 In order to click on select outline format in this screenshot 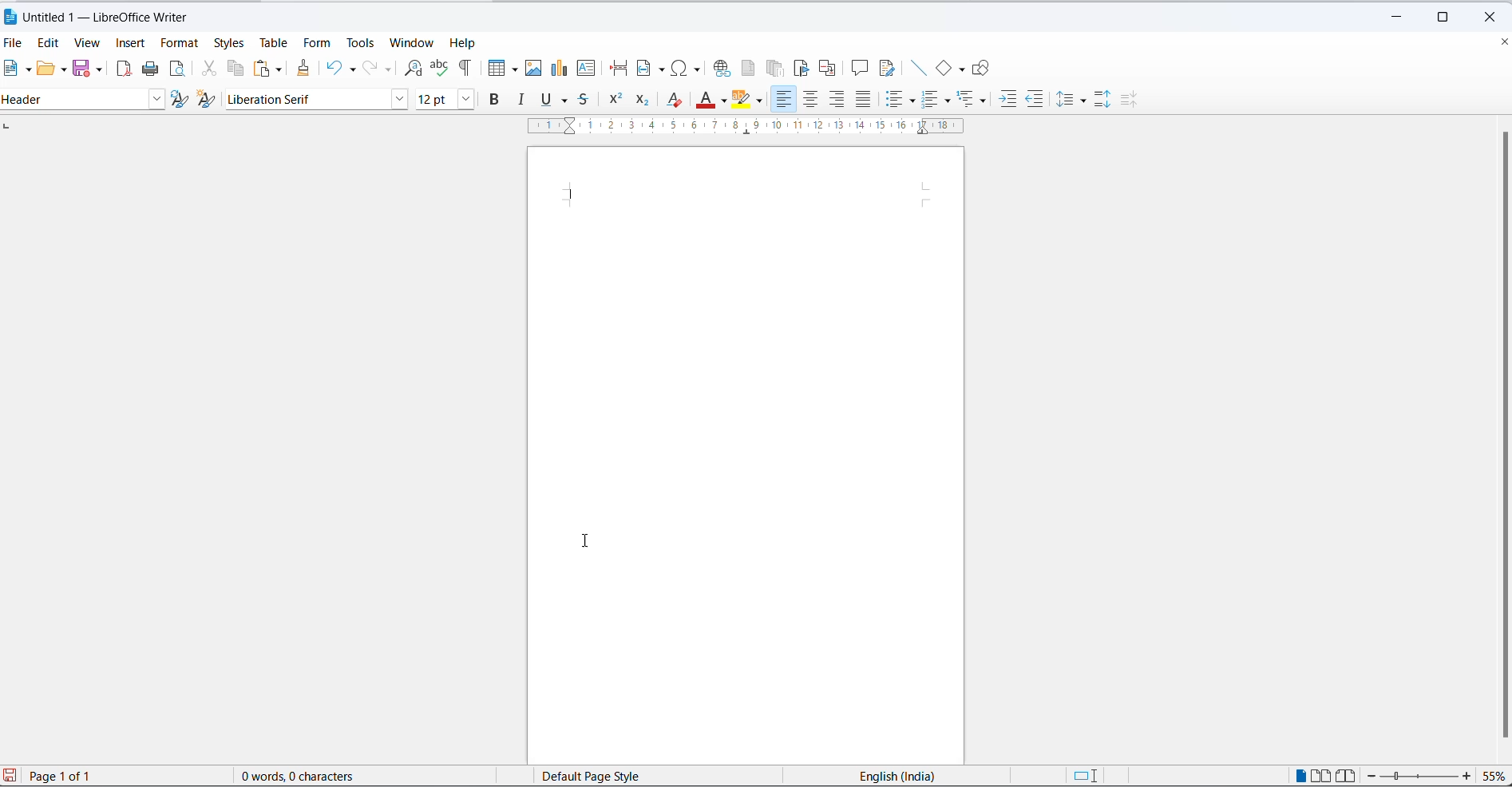, I will do `click(975, 101)`.